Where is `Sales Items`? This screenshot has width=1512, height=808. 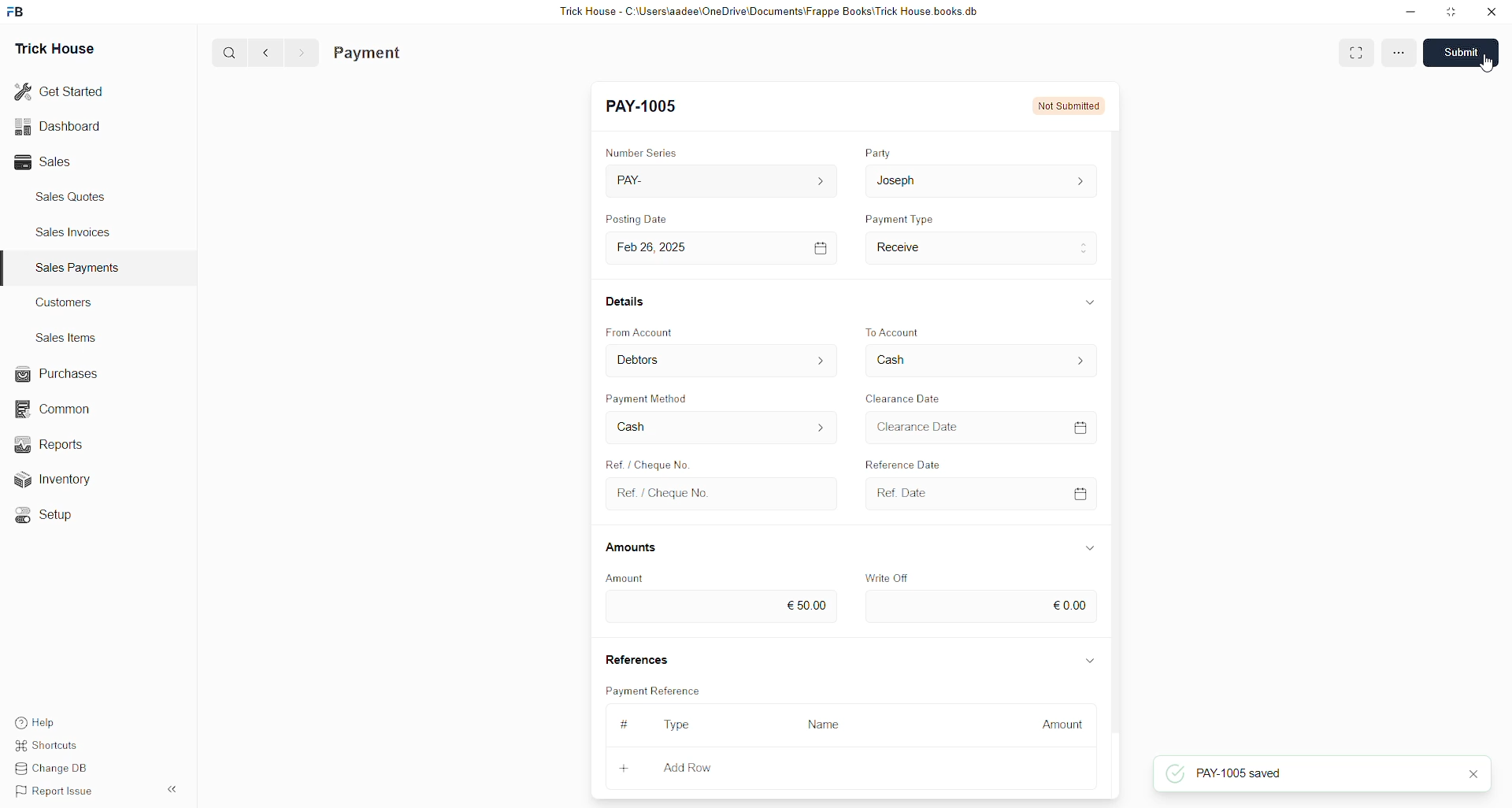
Sales Items is located at coordinates (67, 338).